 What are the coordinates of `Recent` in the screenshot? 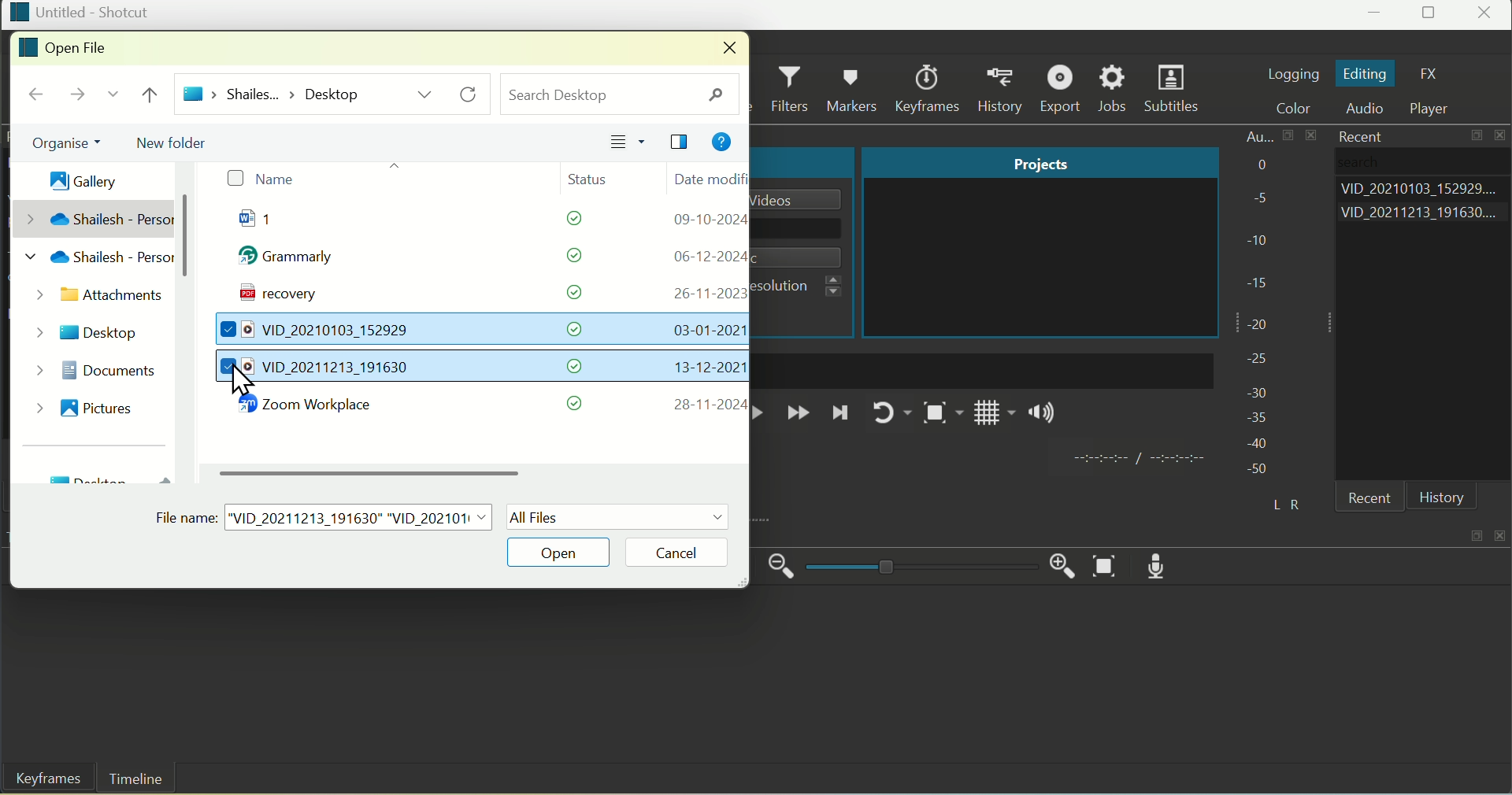 It's located at (1374, 500).